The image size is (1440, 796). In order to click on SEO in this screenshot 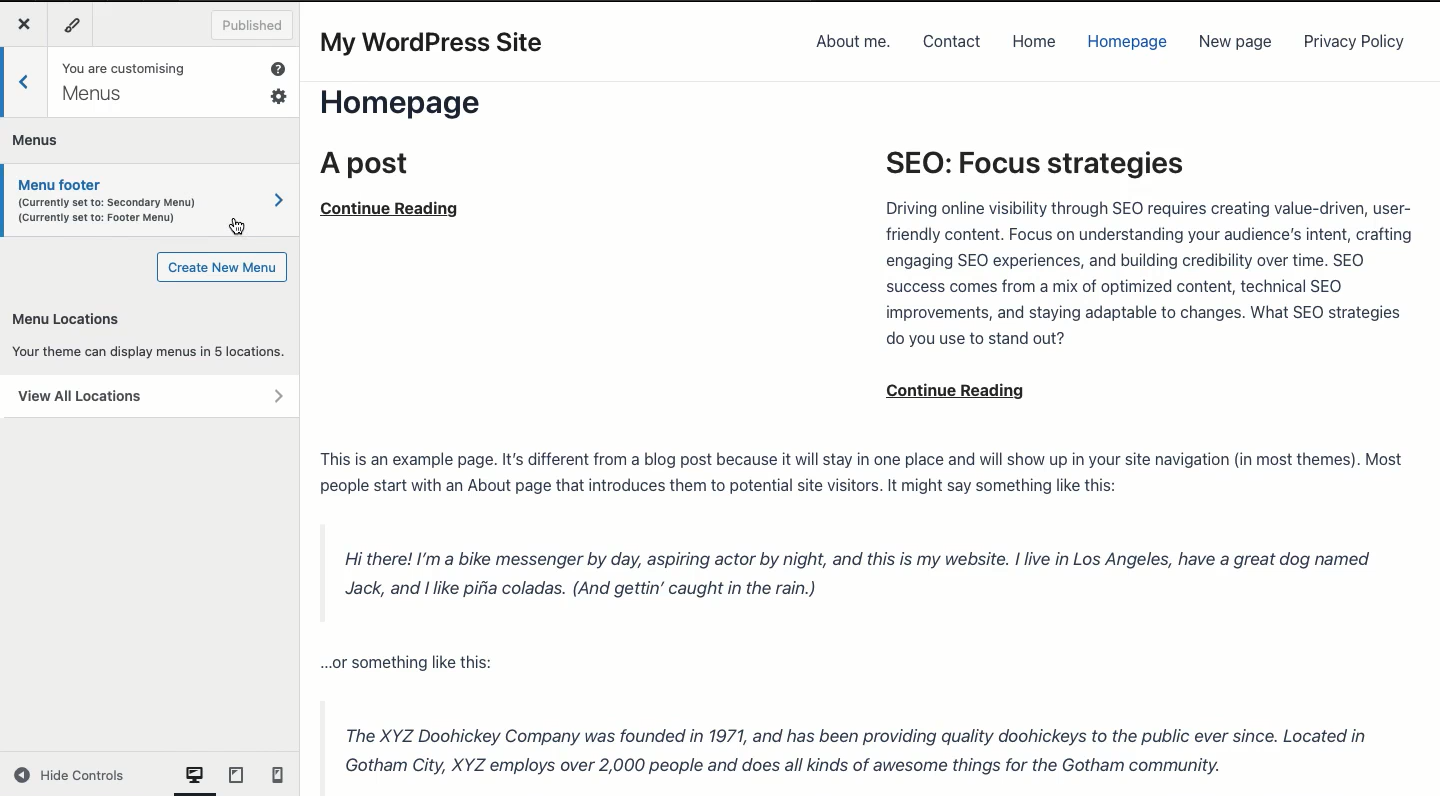, I will do `click(1143, 252)`.